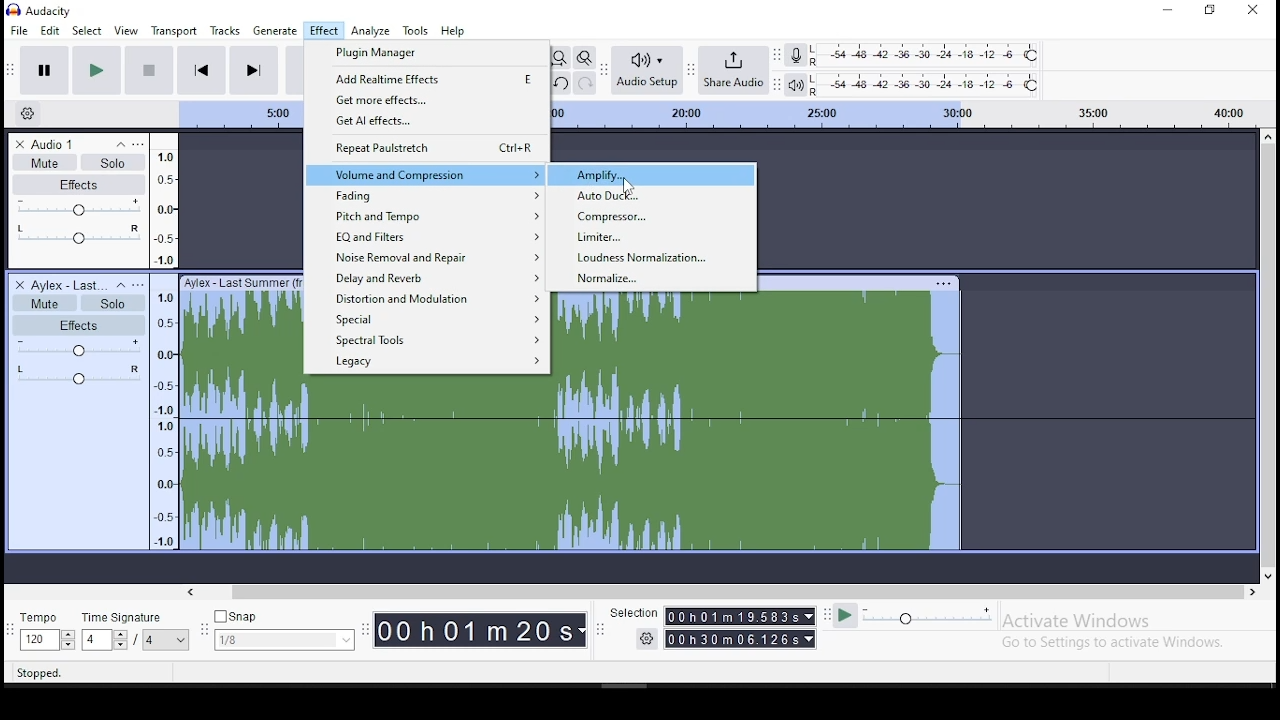 Image resolution: width=1280 pixels, height=720 pixels. I want to click on audio setup, so click(650, 70).